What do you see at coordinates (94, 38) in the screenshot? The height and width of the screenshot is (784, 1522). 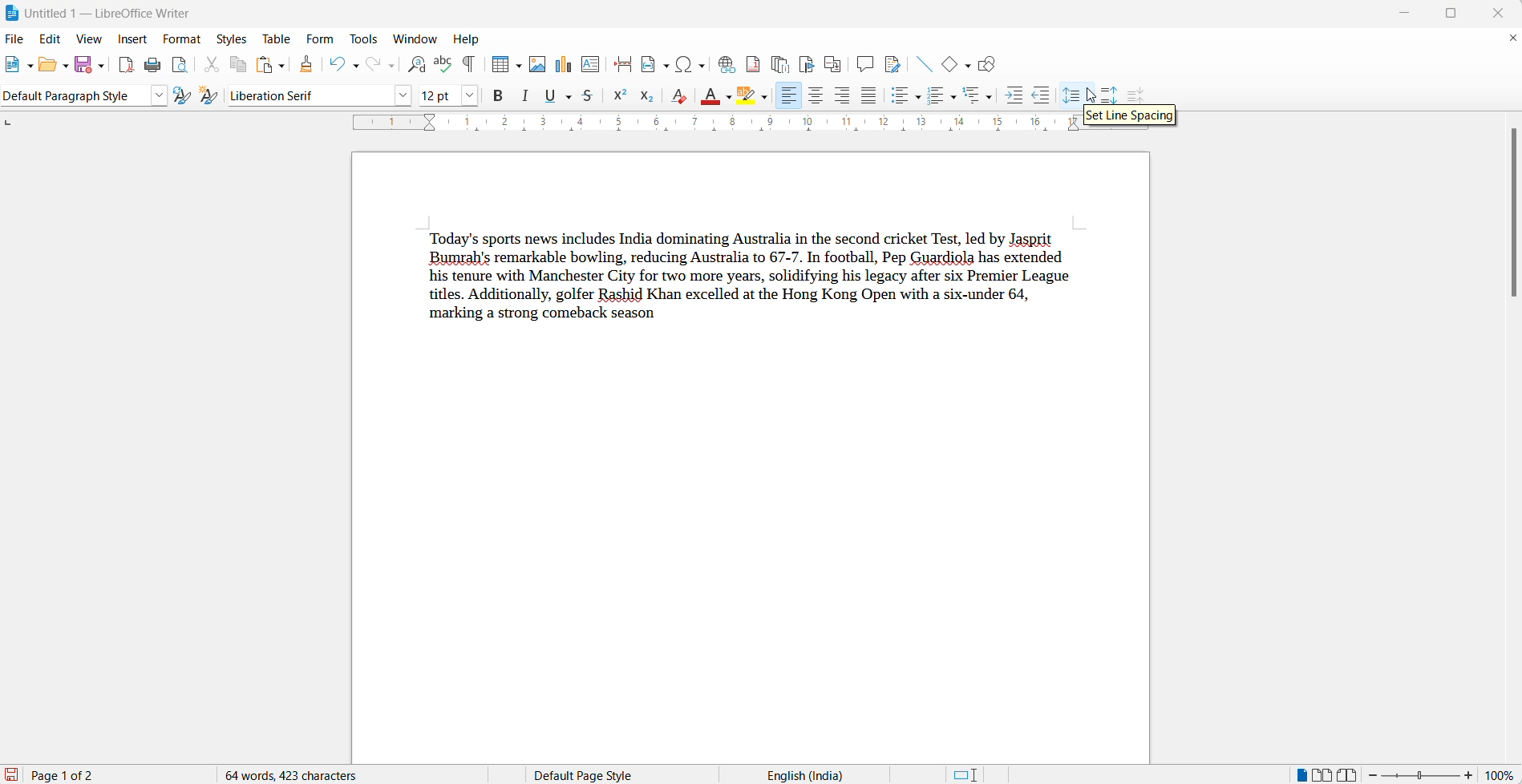 I see `view` at bounding box center [94, 38].